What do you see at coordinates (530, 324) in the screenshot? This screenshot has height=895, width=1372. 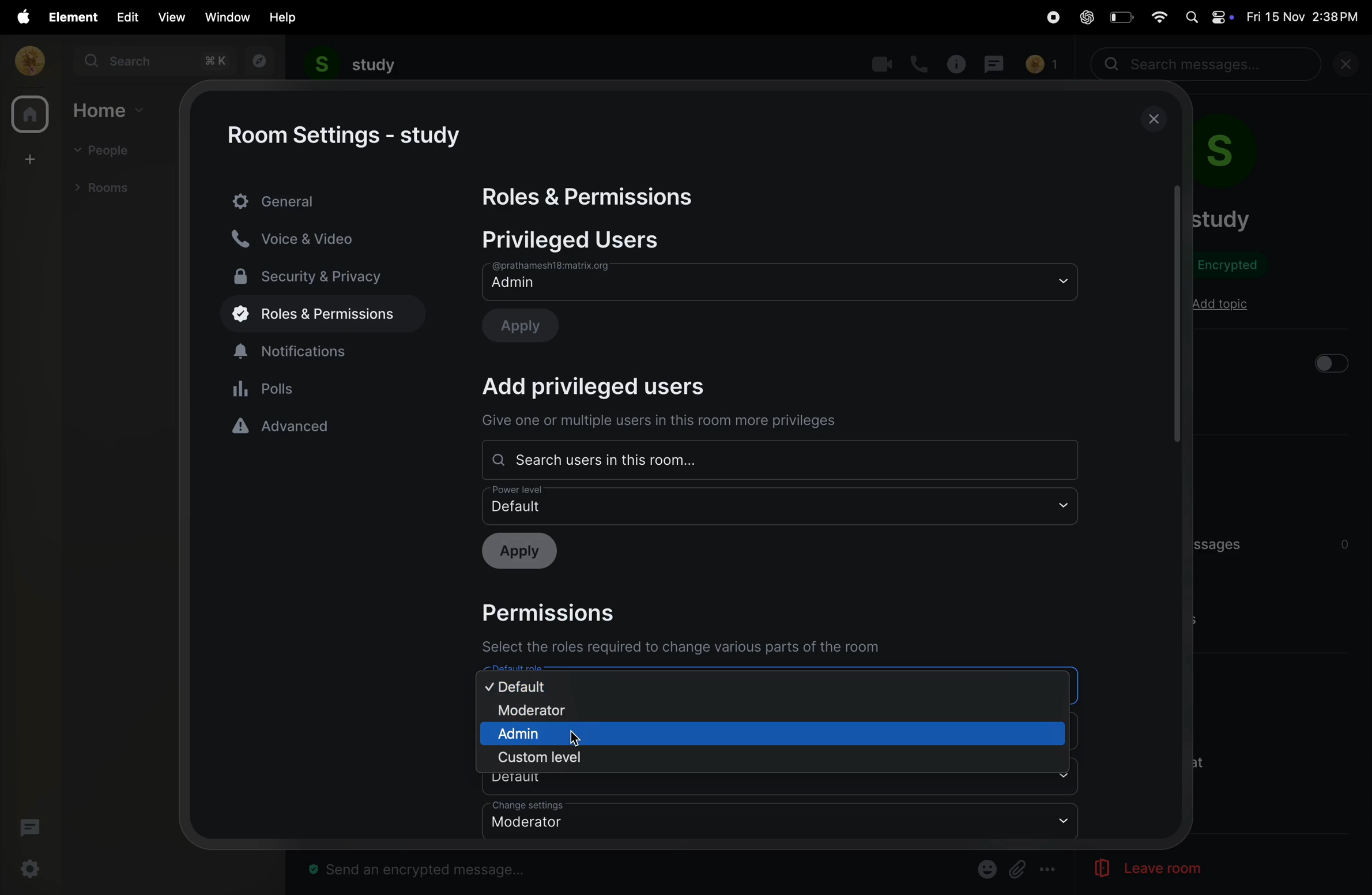 I see `Apply` at bounding box center [530, 324].